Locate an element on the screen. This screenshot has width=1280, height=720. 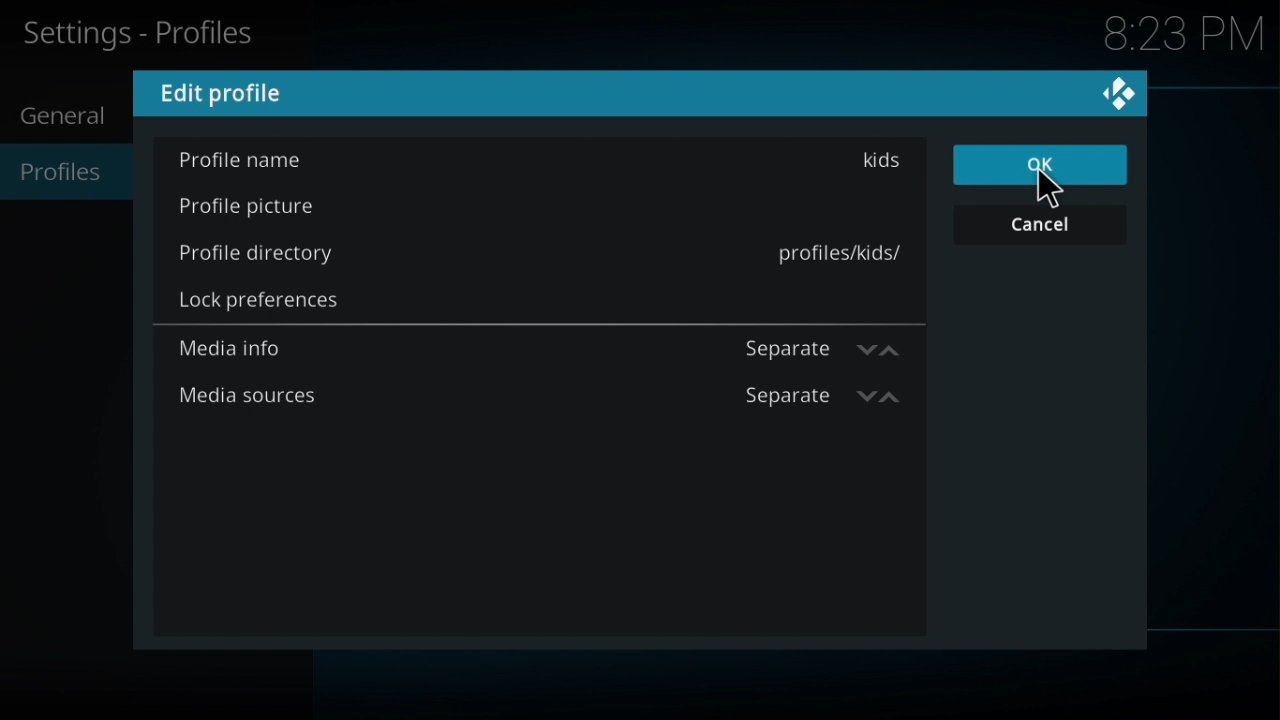
general is located at coordinates (62, 120).